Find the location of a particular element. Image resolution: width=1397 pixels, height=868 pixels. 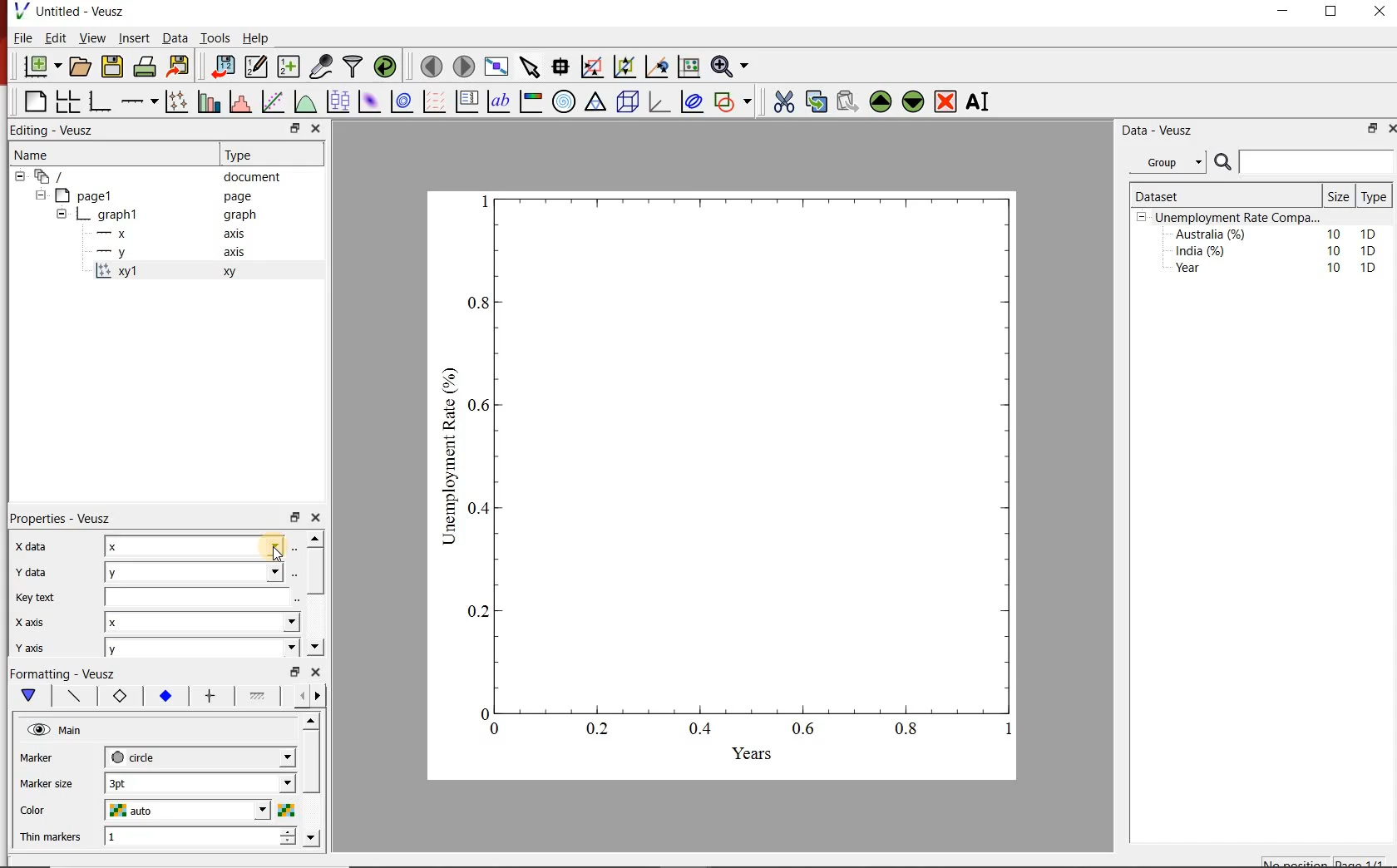

Dataset is located at coordinates (1196, 196).